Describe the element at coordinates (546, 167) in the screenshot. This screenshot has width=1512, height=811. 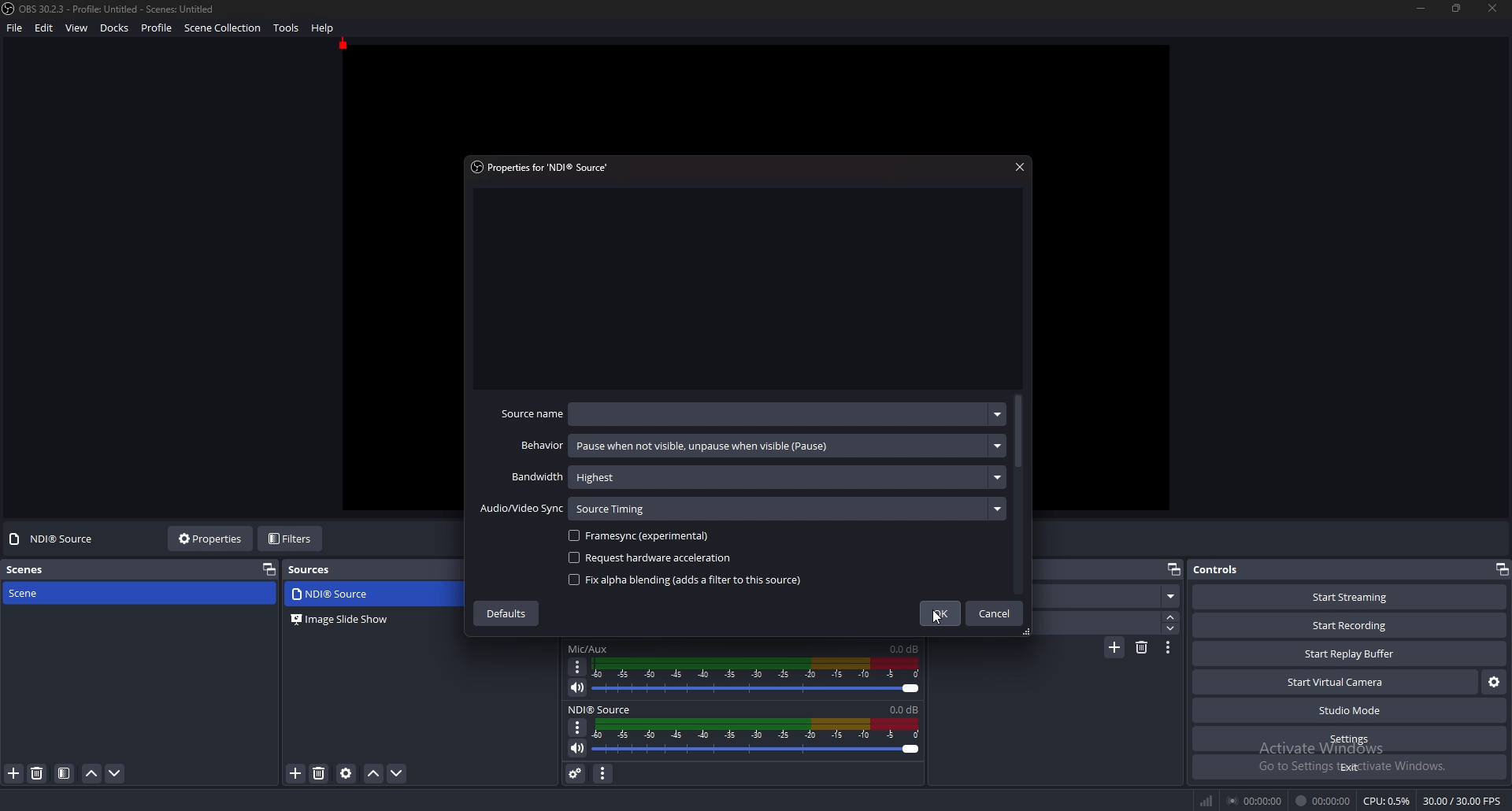
I see `properties` at that location.